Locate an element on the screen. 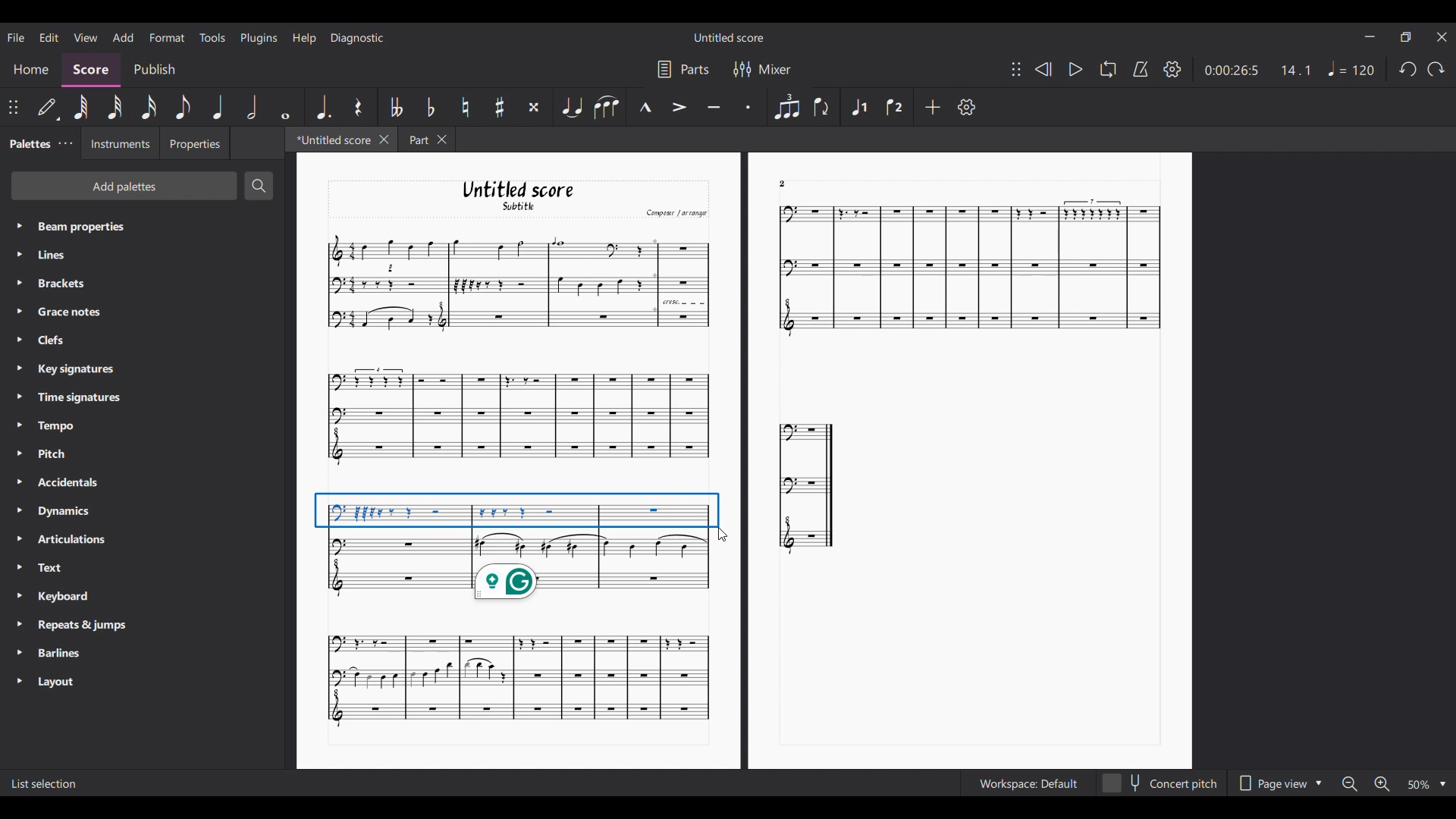 The image size is (1456, 819). 0:00:26:5 14.1 is located at coordinates (1263, 69).